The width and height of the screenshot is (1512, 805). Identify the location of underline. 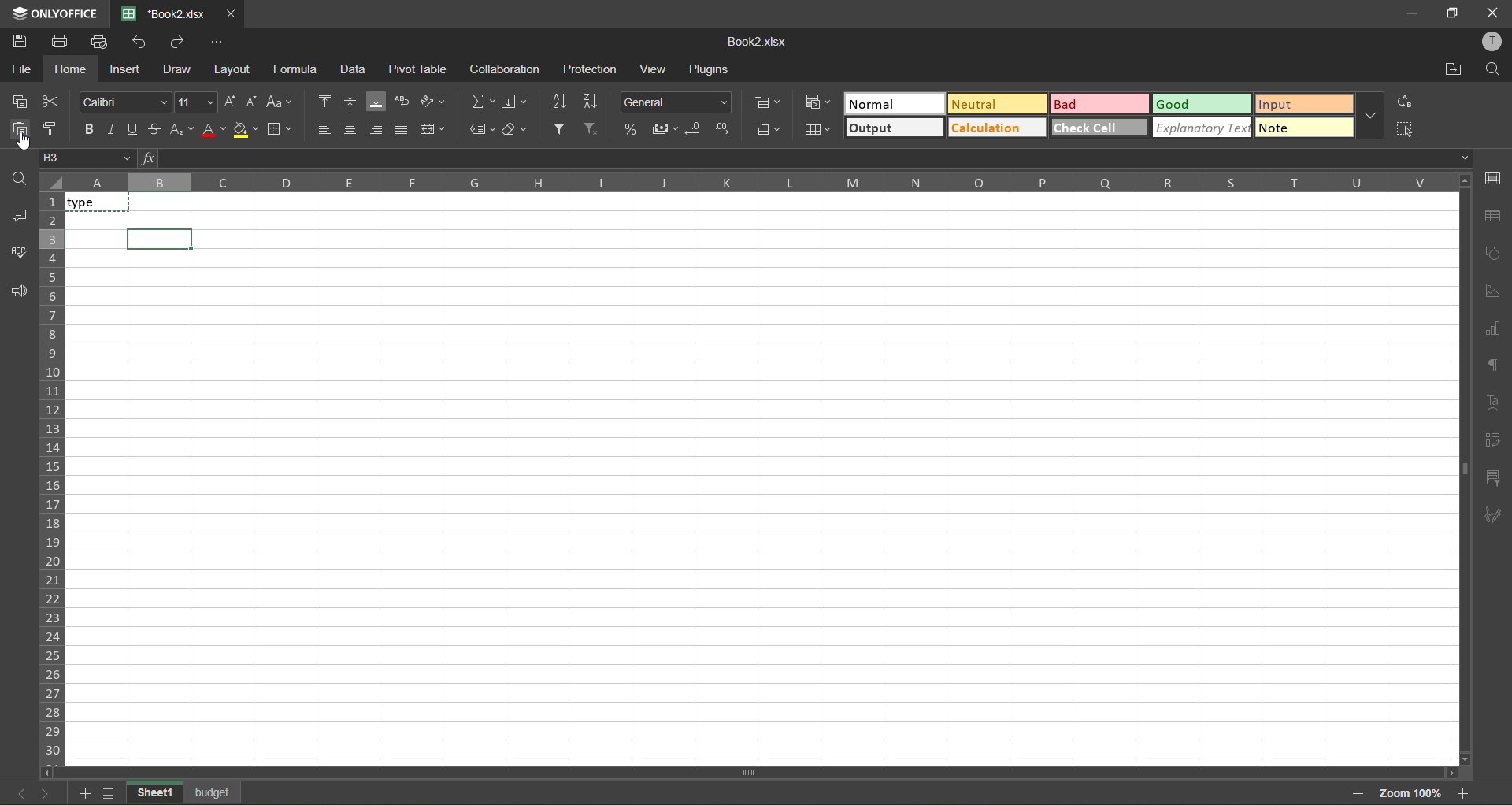
(135, 129).